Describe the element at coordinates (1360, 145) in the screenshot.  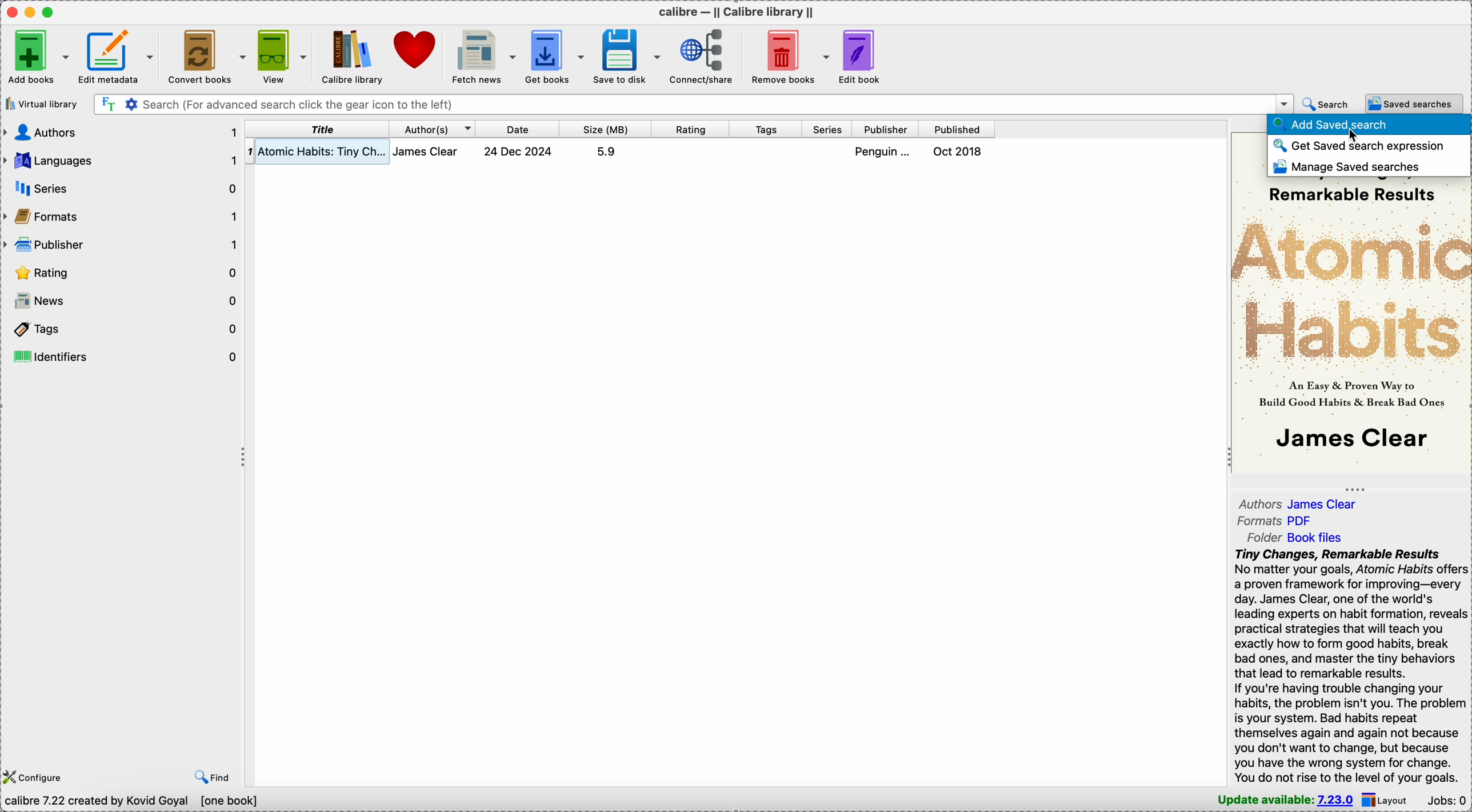
I see `get saved search expression` at that location.